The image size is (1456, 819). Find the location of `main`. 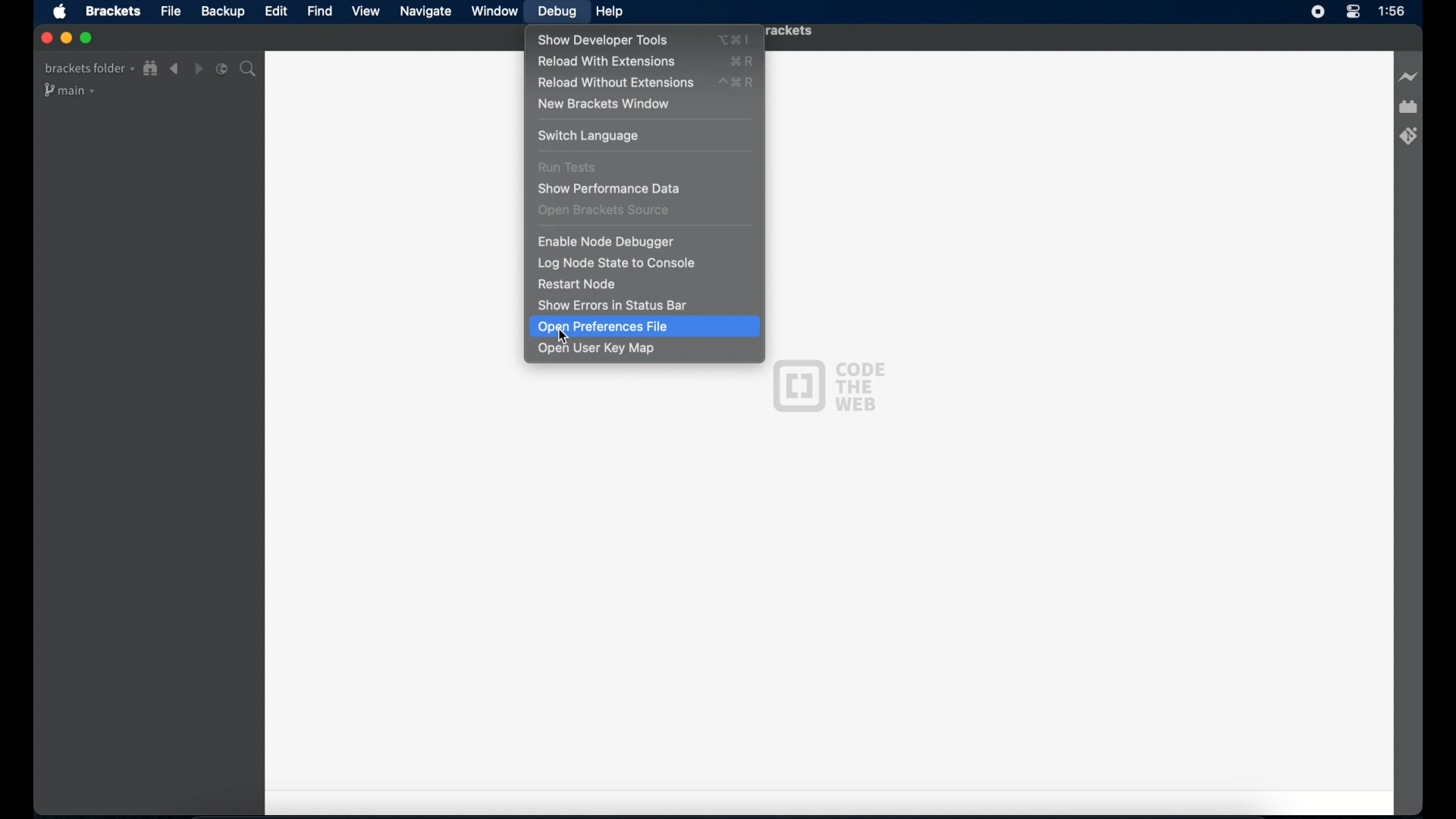

main is located at coordinates (71, 91).